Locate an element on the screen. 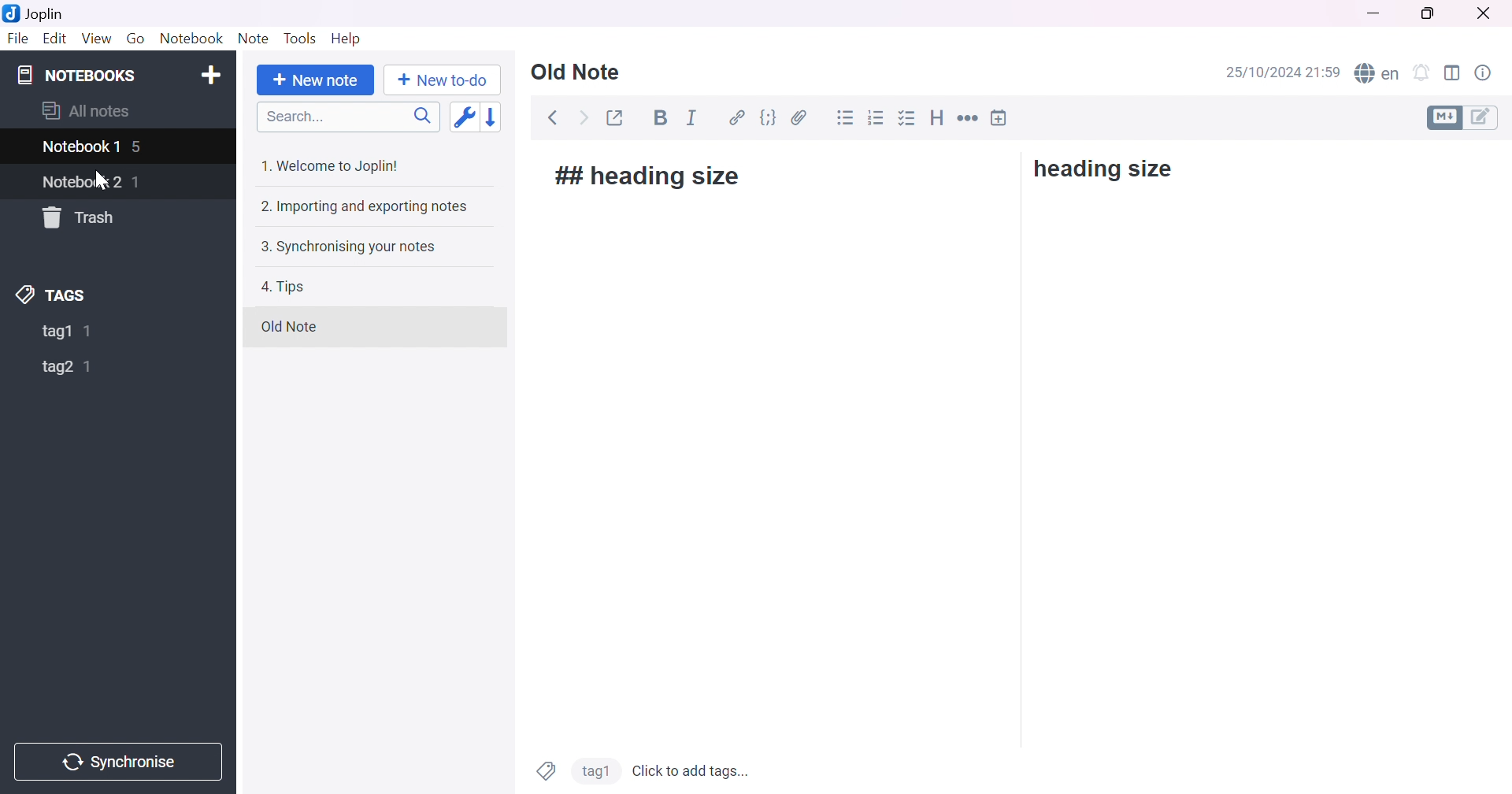 The width and height of the screenshot is (1512, 794). Add notebook is located at coordinates (212, 74).